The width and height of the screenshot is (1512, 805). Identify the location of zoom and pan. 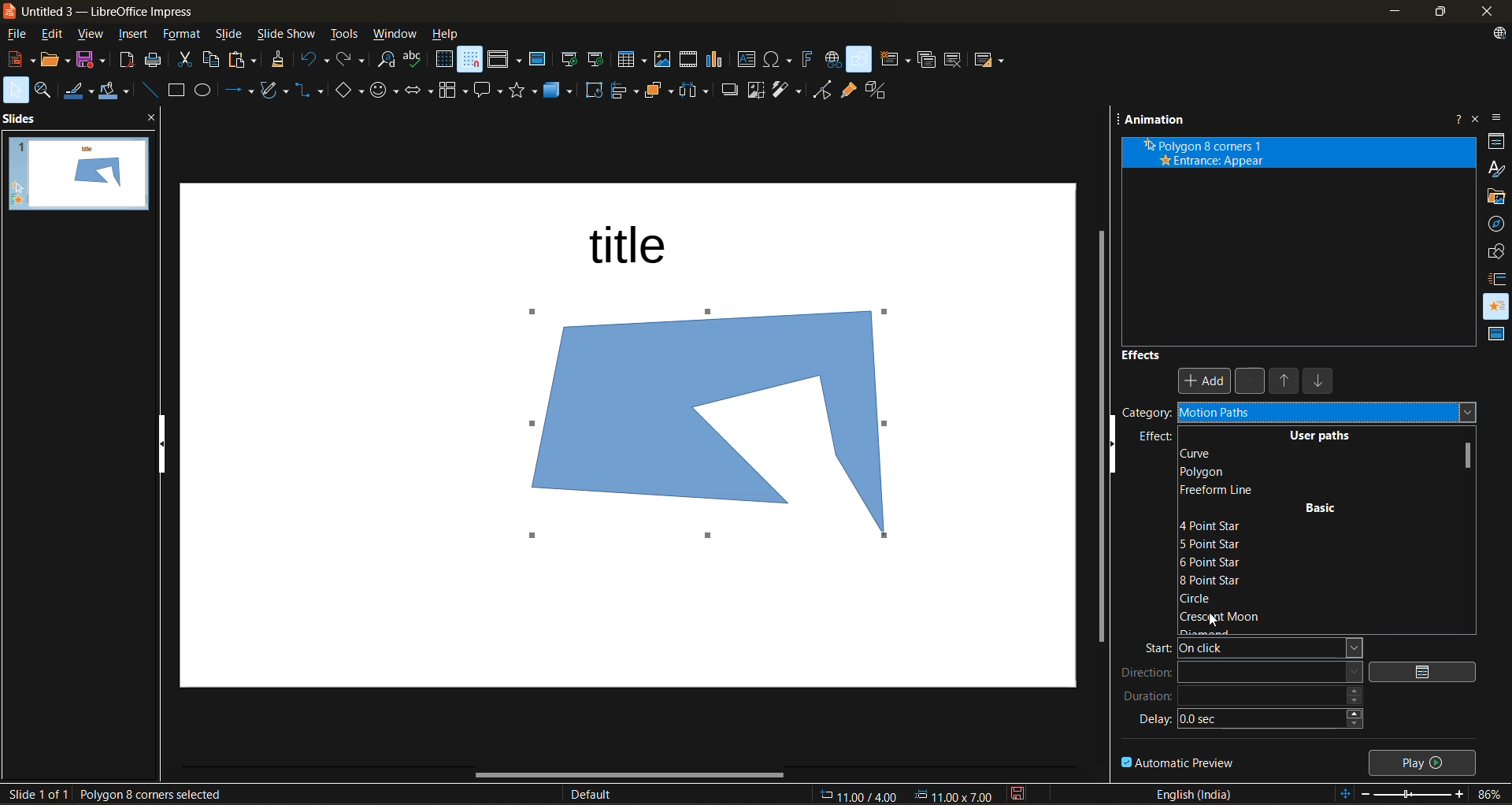
(50, 90).